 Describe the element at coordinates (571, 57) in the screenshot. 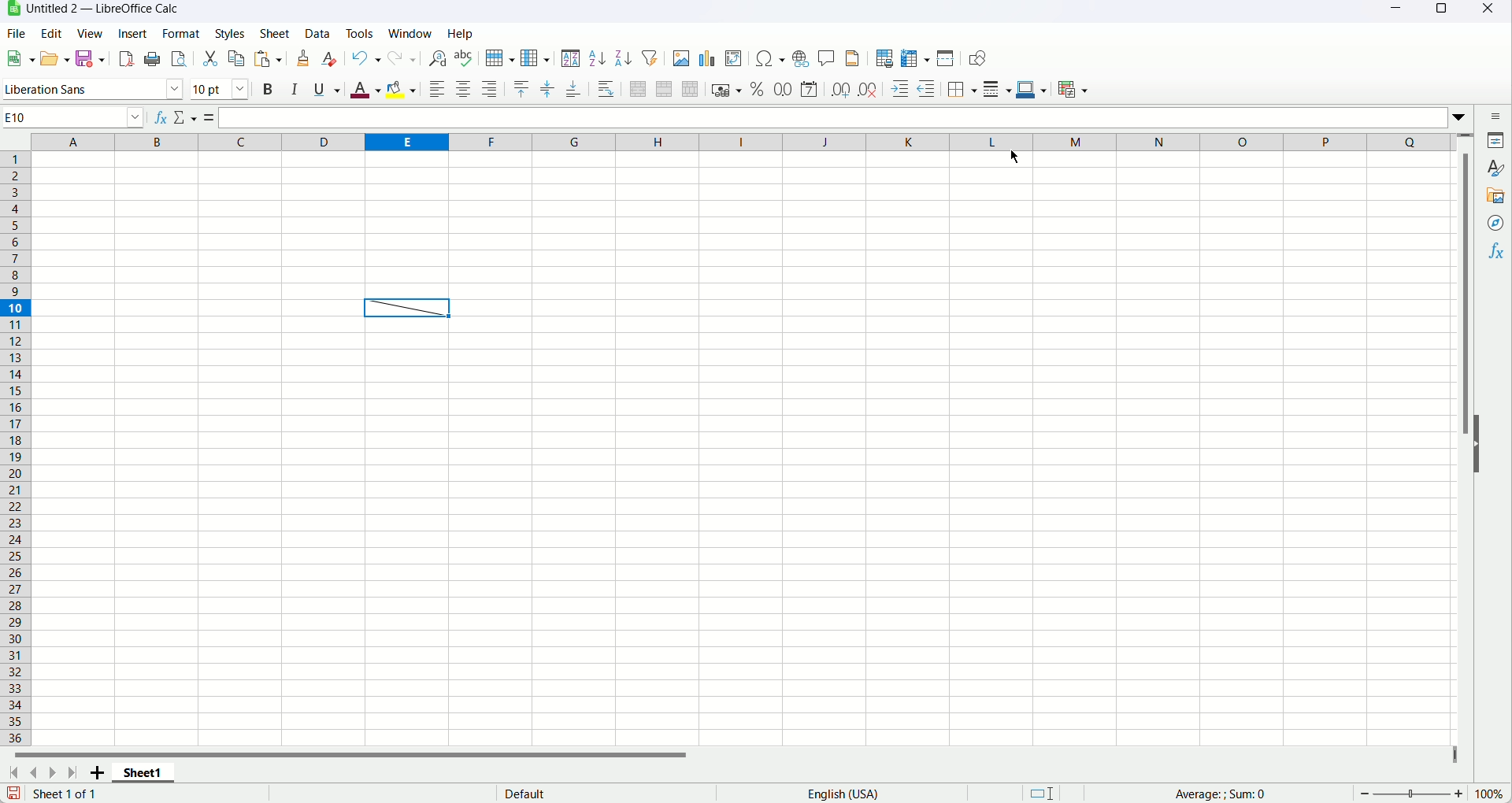

I see `Sort` at that location.